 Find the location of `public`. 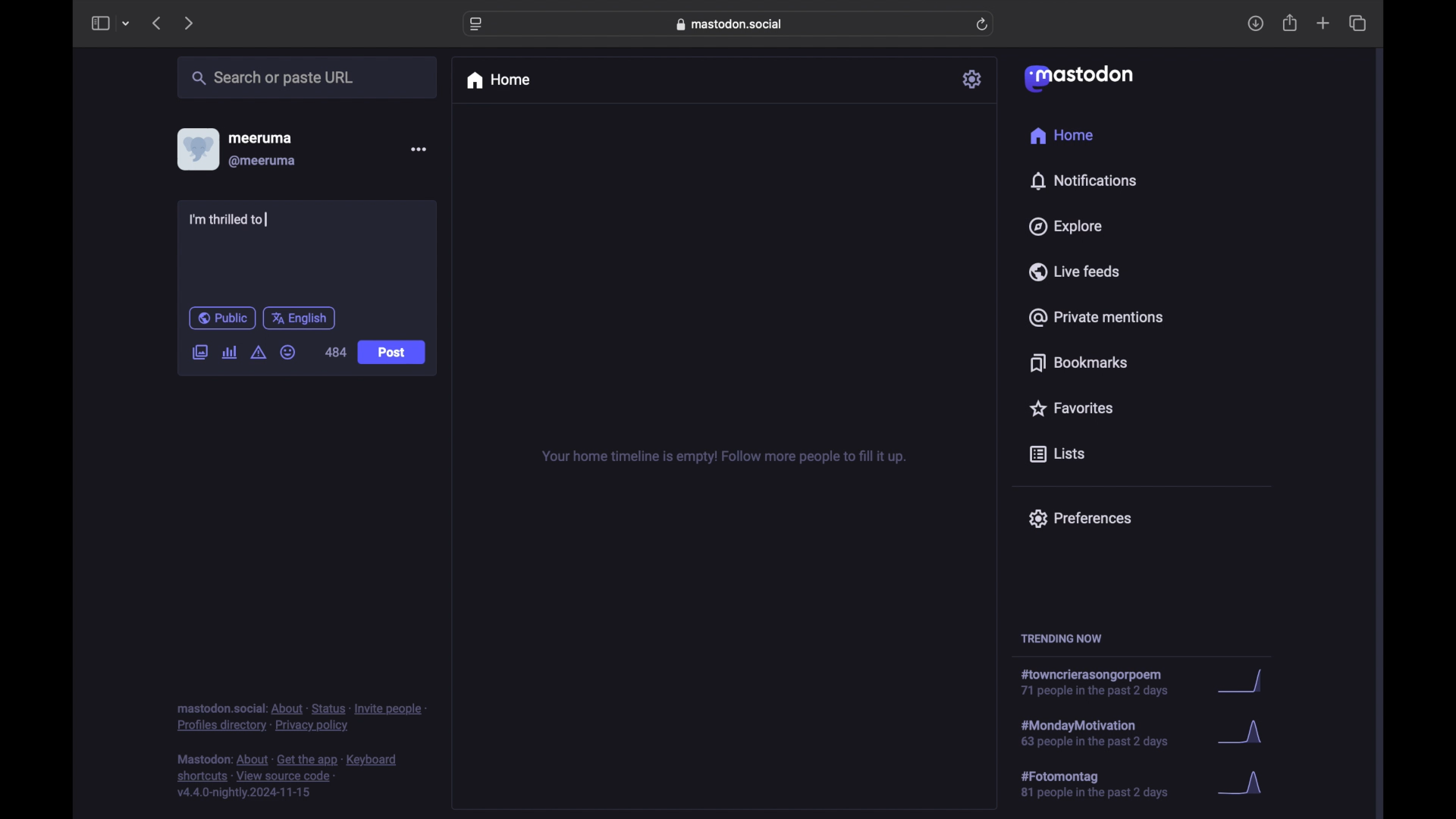

public is located at coordinates (222, 318).